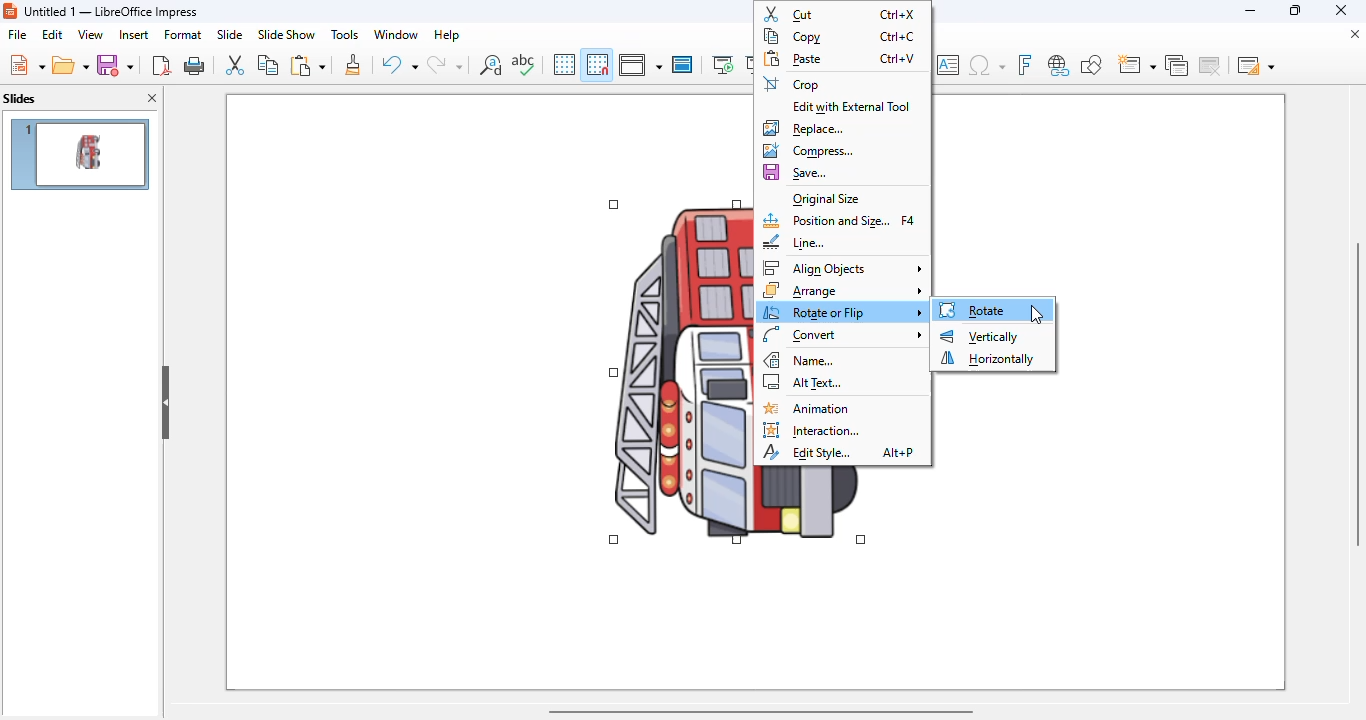 Image resolution: width=1366 pixels, height=720 pixels. What do you see at coordinates (851, 107) in the screenshot?
I see `edit with external tool` at bounding box center [851, 107].